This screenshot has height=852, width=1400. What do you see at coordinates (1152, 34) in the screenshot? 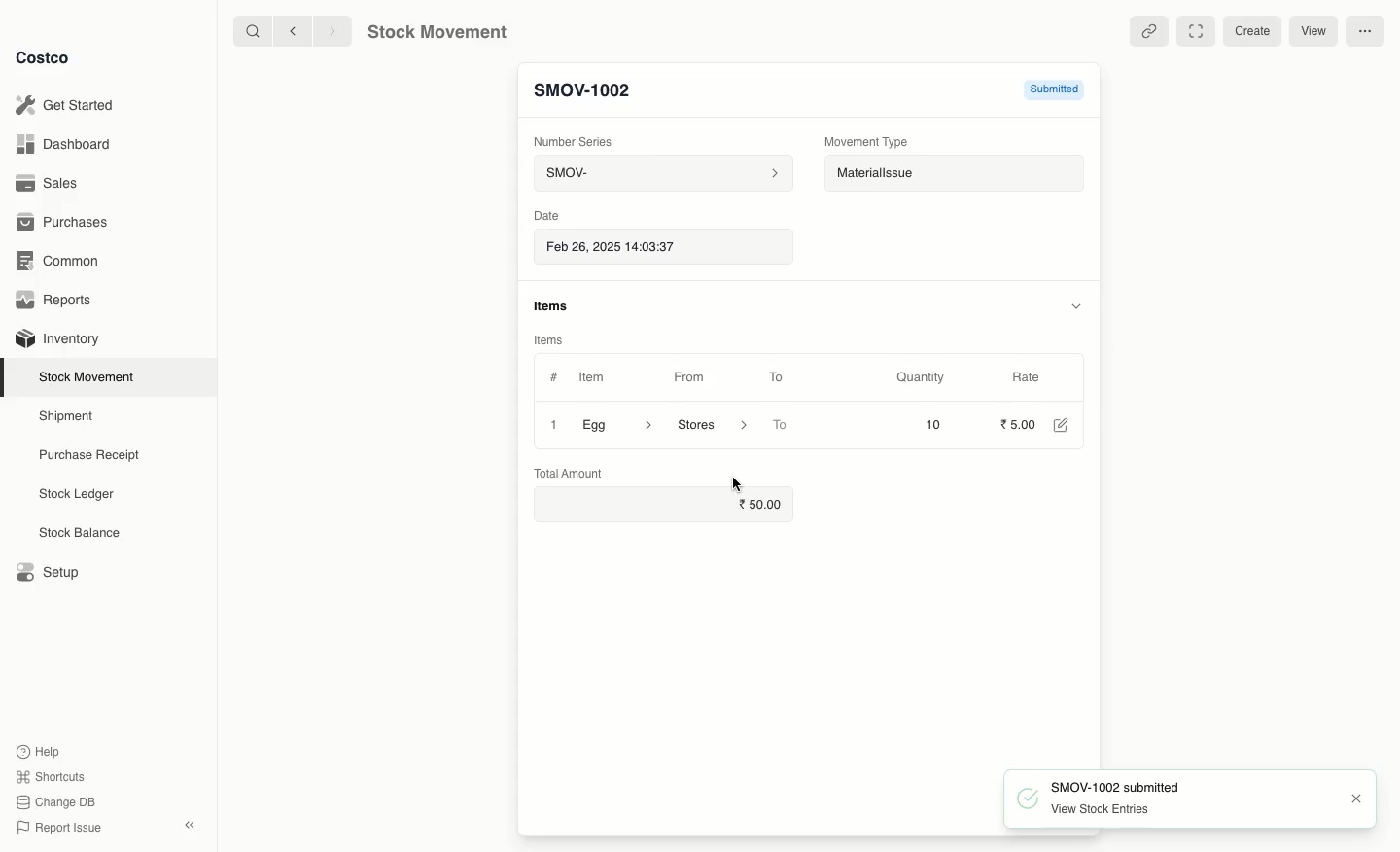
I see `Linked entries ` at bounding box center [1152, 34].